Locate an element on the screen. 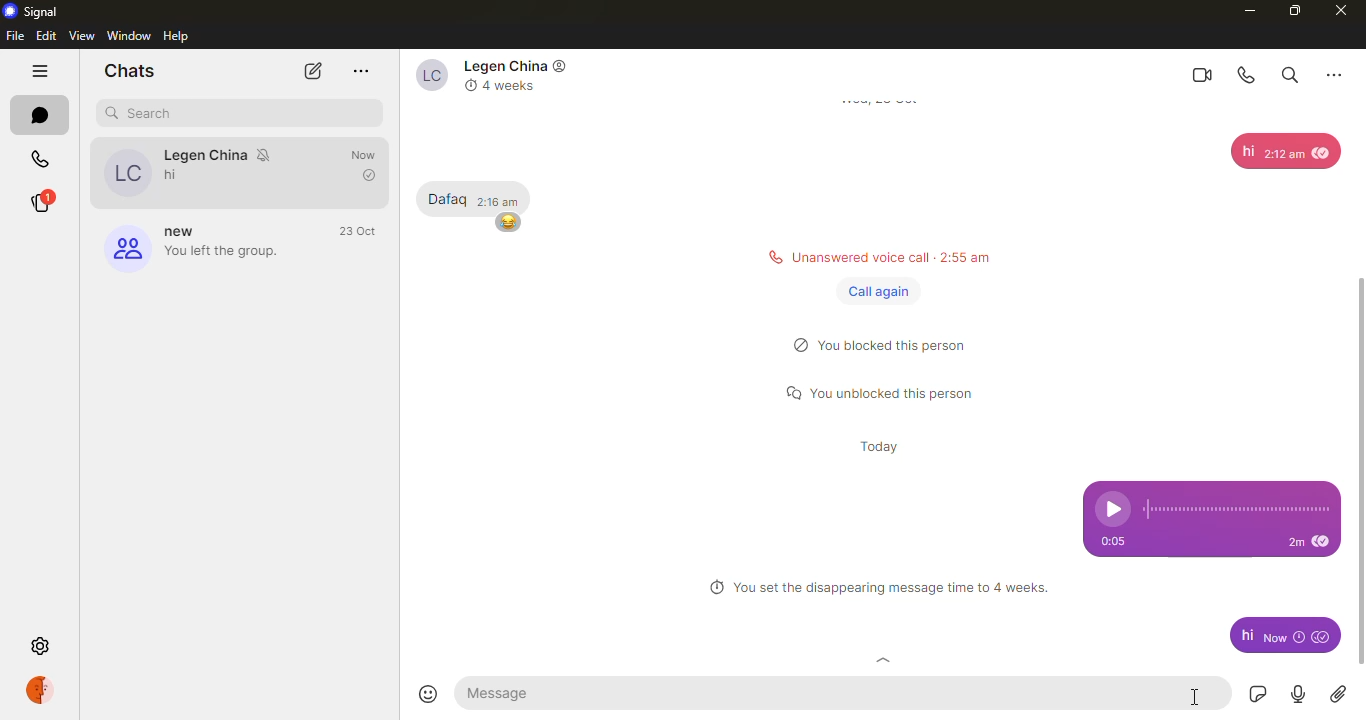  search is located at coordinates (145, 113).